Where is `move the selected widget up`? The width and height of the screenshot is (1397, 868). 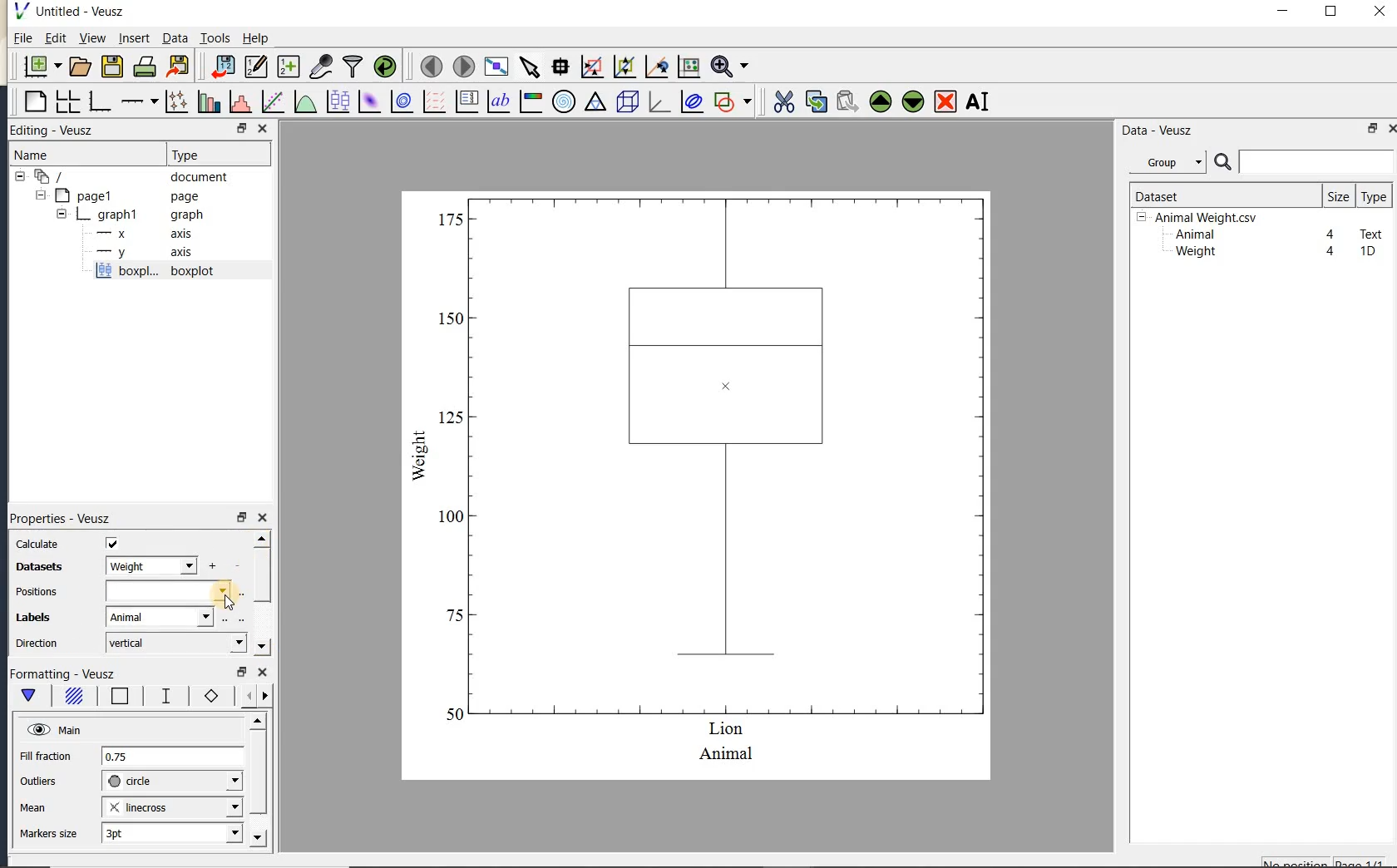
move the selected widget up is located at coordinates (881, 102).